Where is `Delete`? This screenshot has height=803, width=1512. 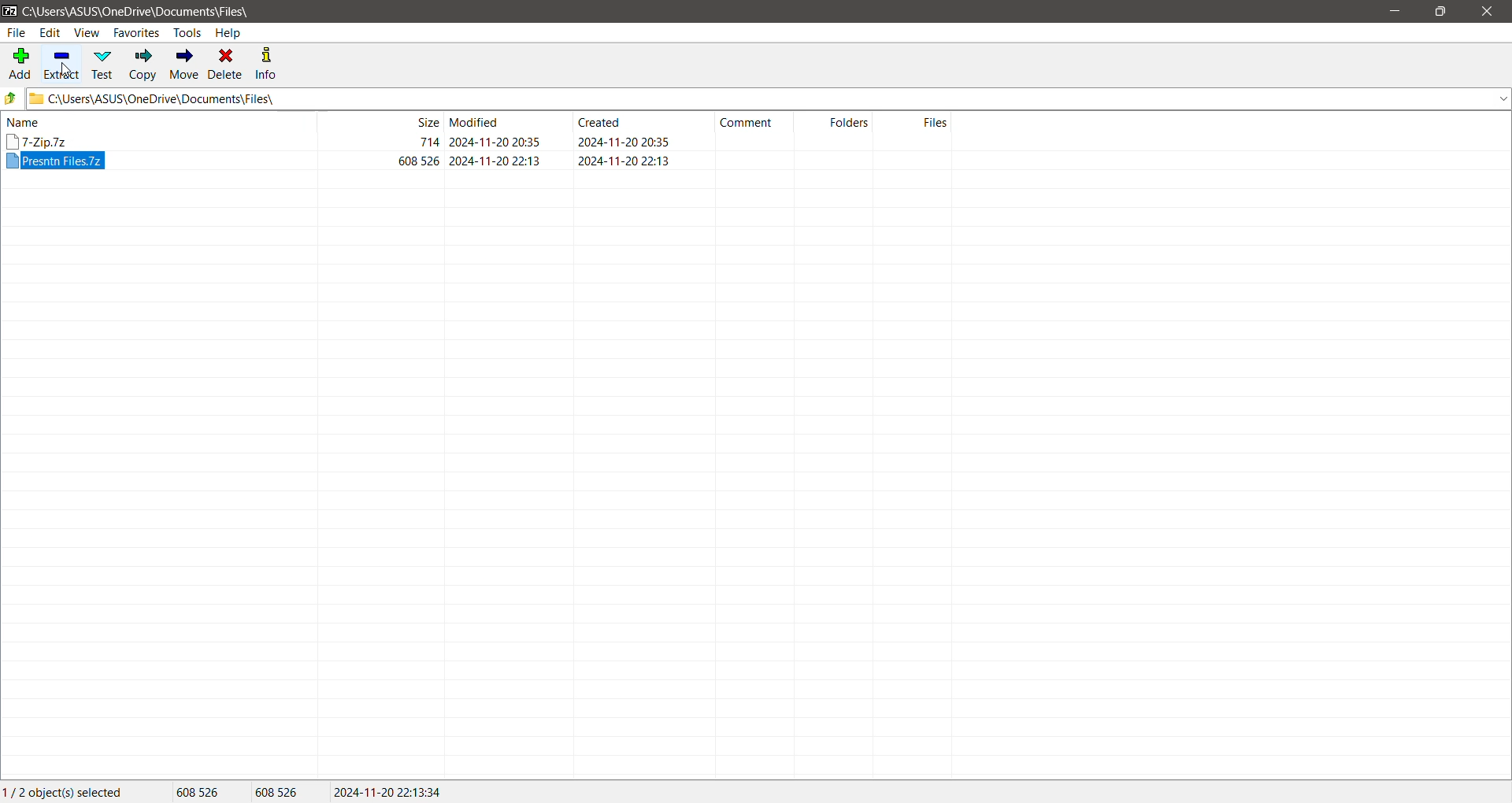 Delete is located at coordinates (227, 65).